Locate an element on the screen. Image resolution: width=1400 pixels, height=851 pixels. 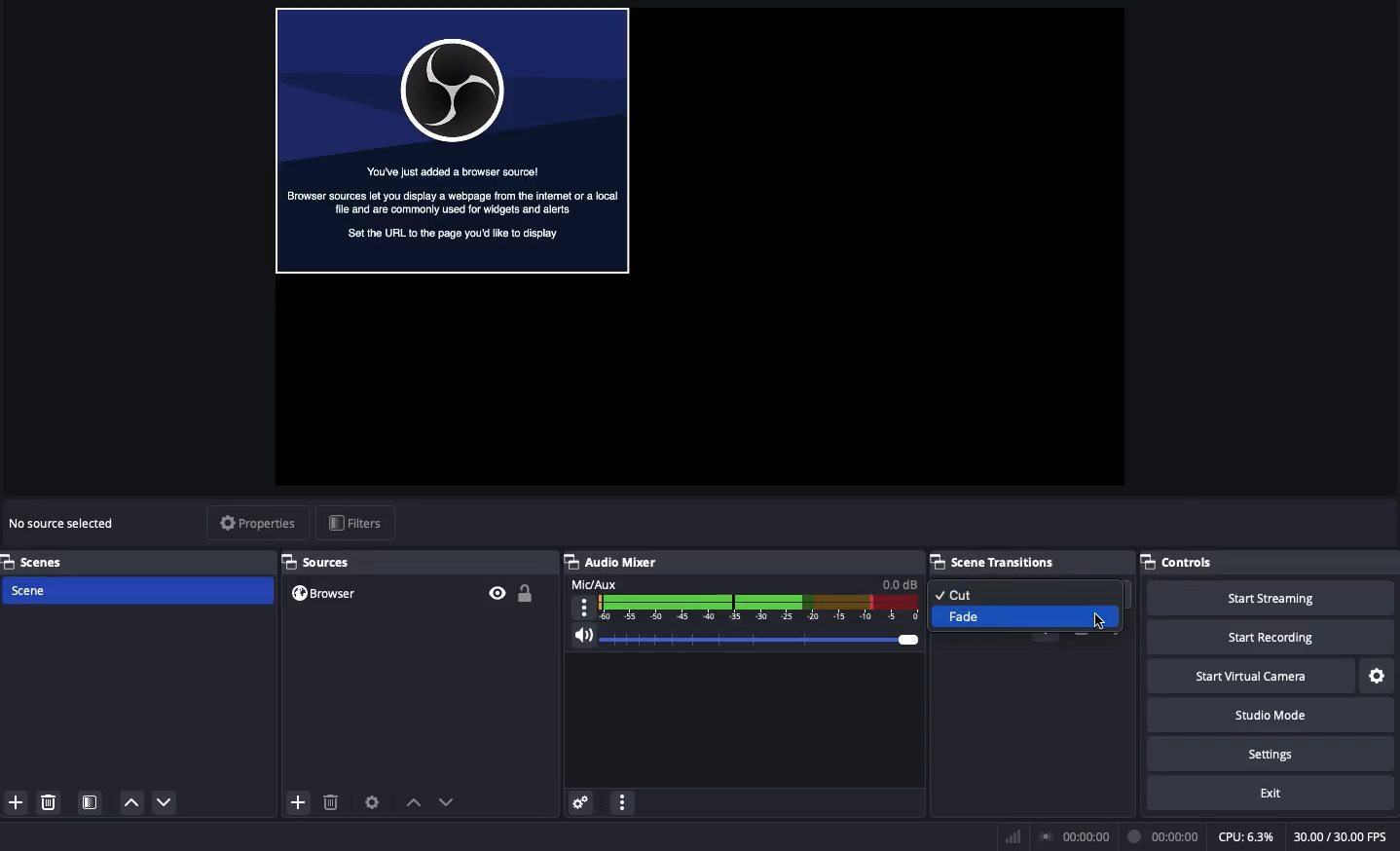
FPS is located at coordinates (1338, 835).